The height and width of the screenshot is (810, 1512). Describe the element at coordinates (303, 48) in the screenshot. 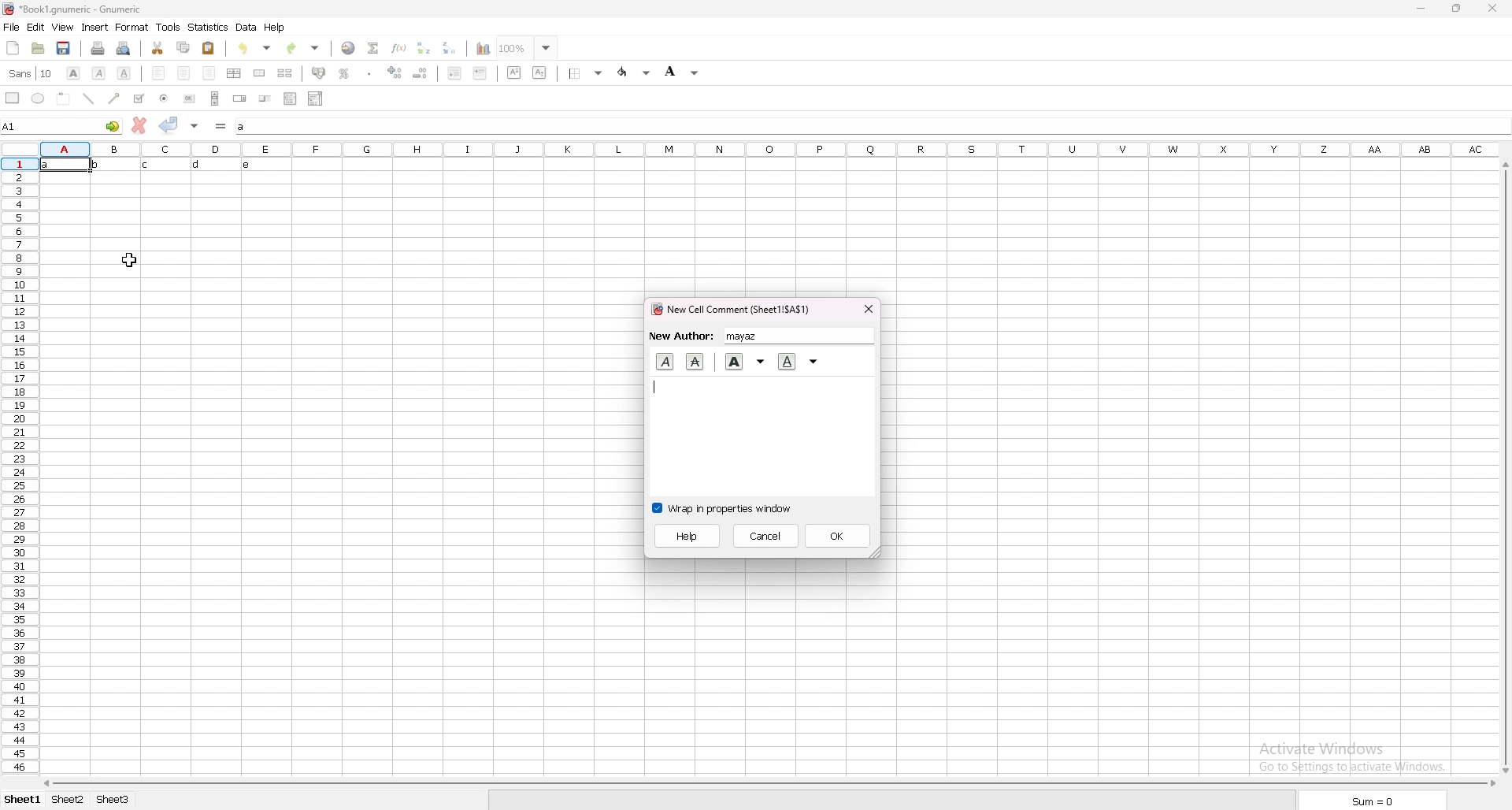

I see `redo` at that location.